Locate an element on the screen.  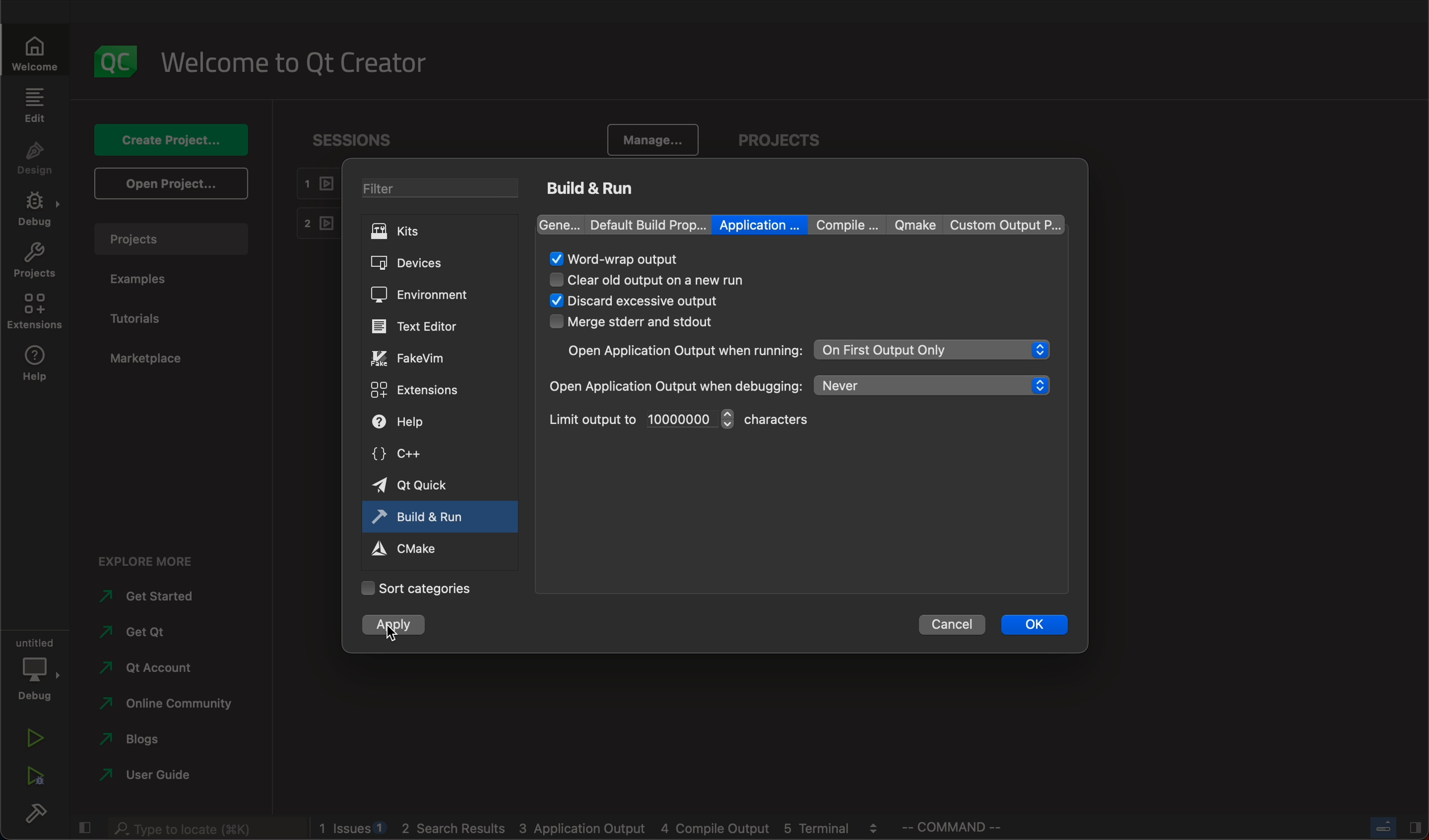
get  is located at coordinates (158, 632).